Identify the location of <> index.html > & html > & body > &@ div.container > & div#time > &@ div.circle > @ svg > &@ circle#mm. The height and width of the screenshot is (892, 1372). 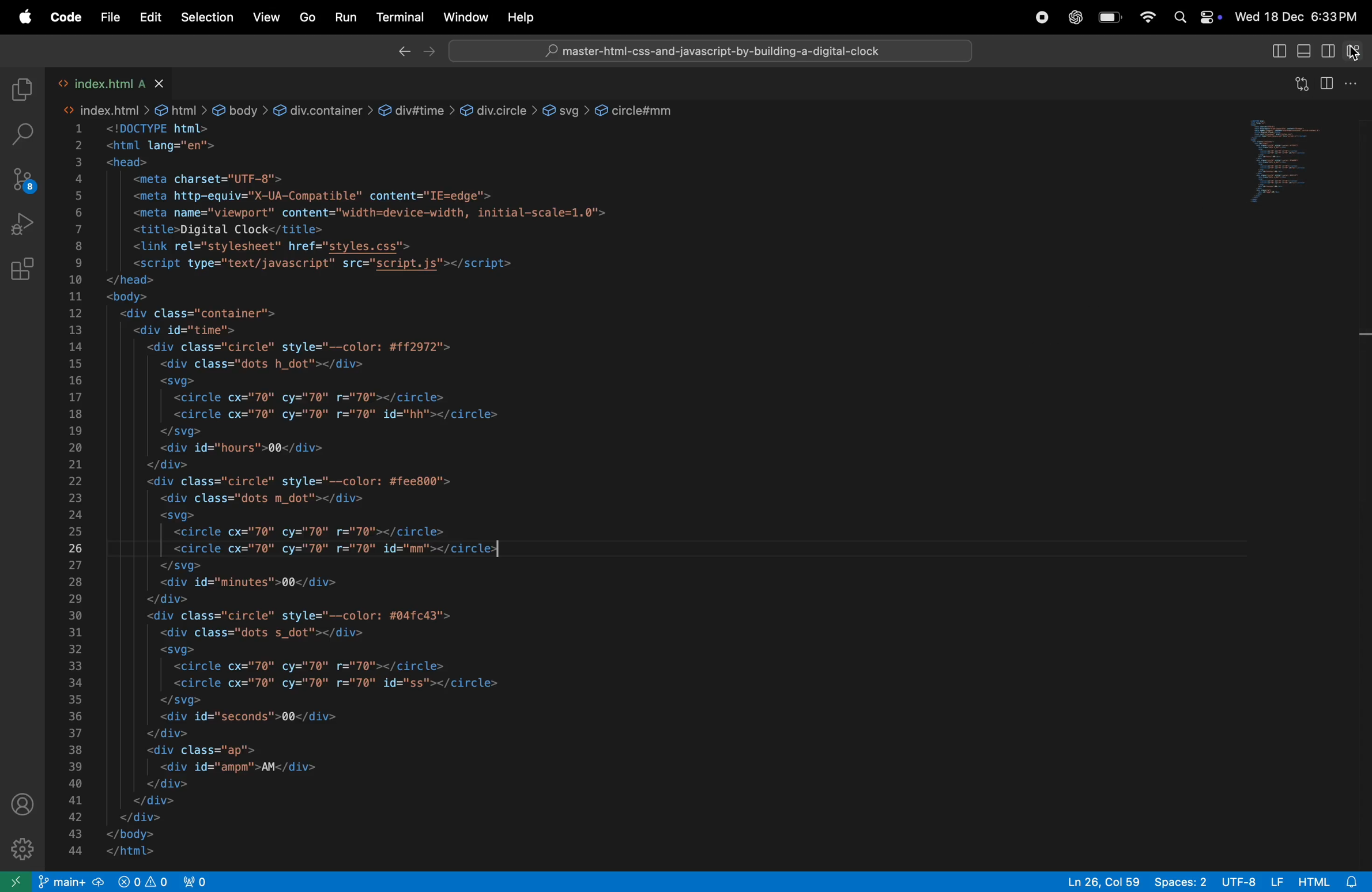
(366, 108).